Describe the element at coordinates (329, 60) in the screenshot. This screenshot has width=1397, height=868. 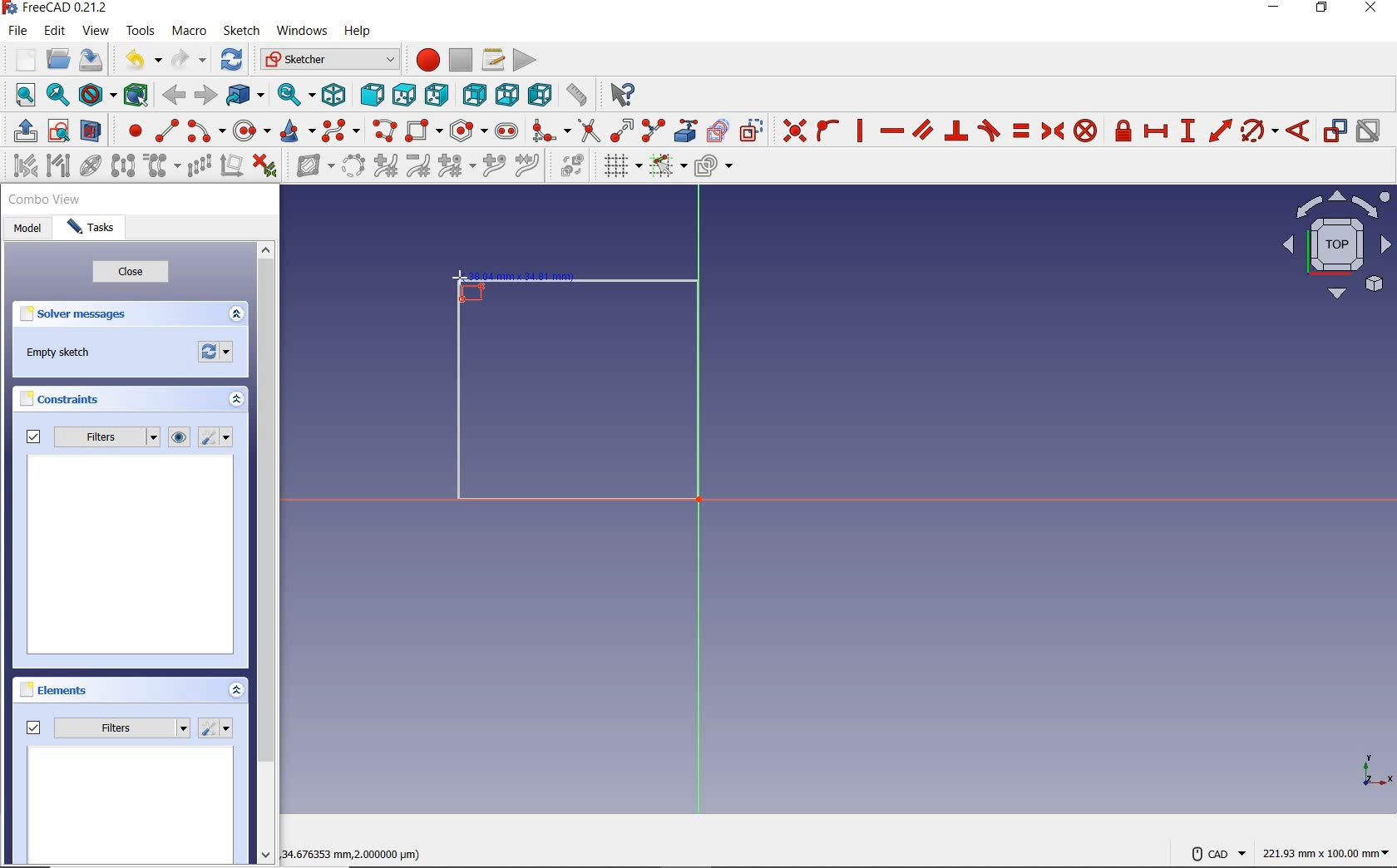
I see `switch between workbenches` at that location.